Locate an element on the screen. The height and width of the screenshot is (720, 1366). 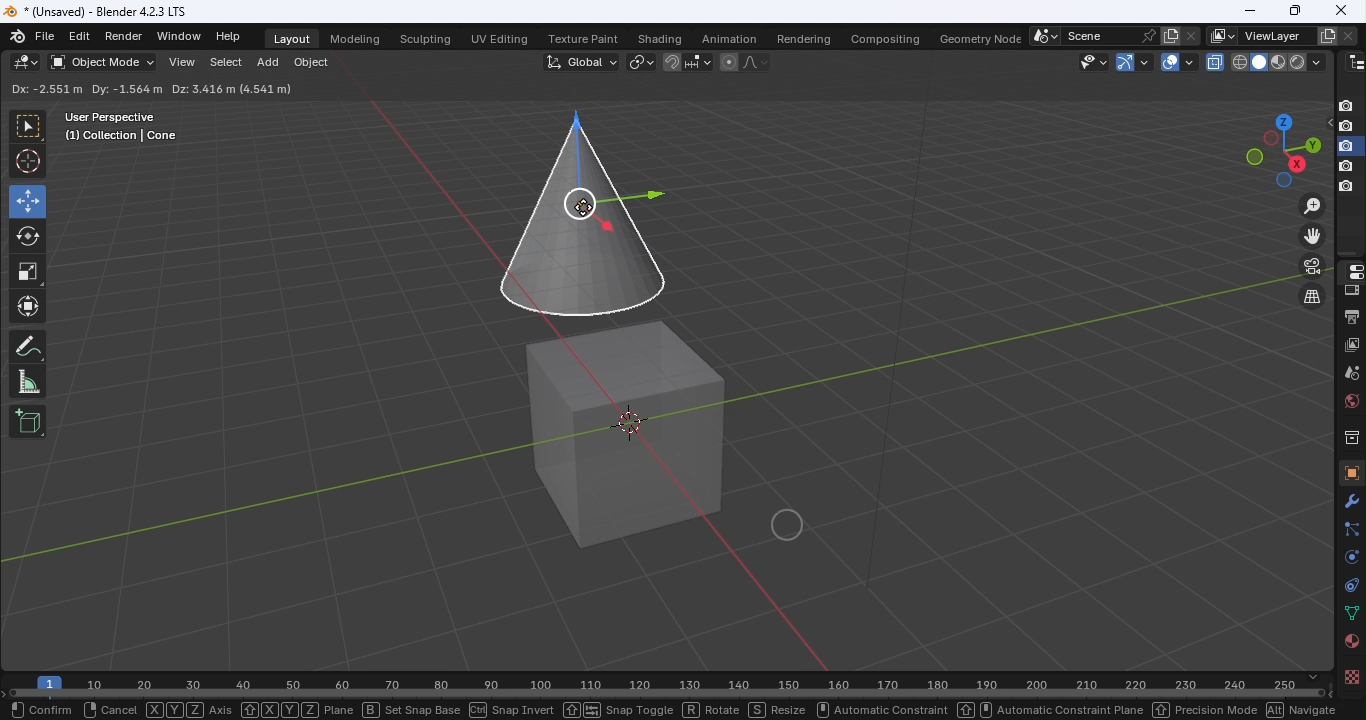
Data is located at coordinates (1351, 614).